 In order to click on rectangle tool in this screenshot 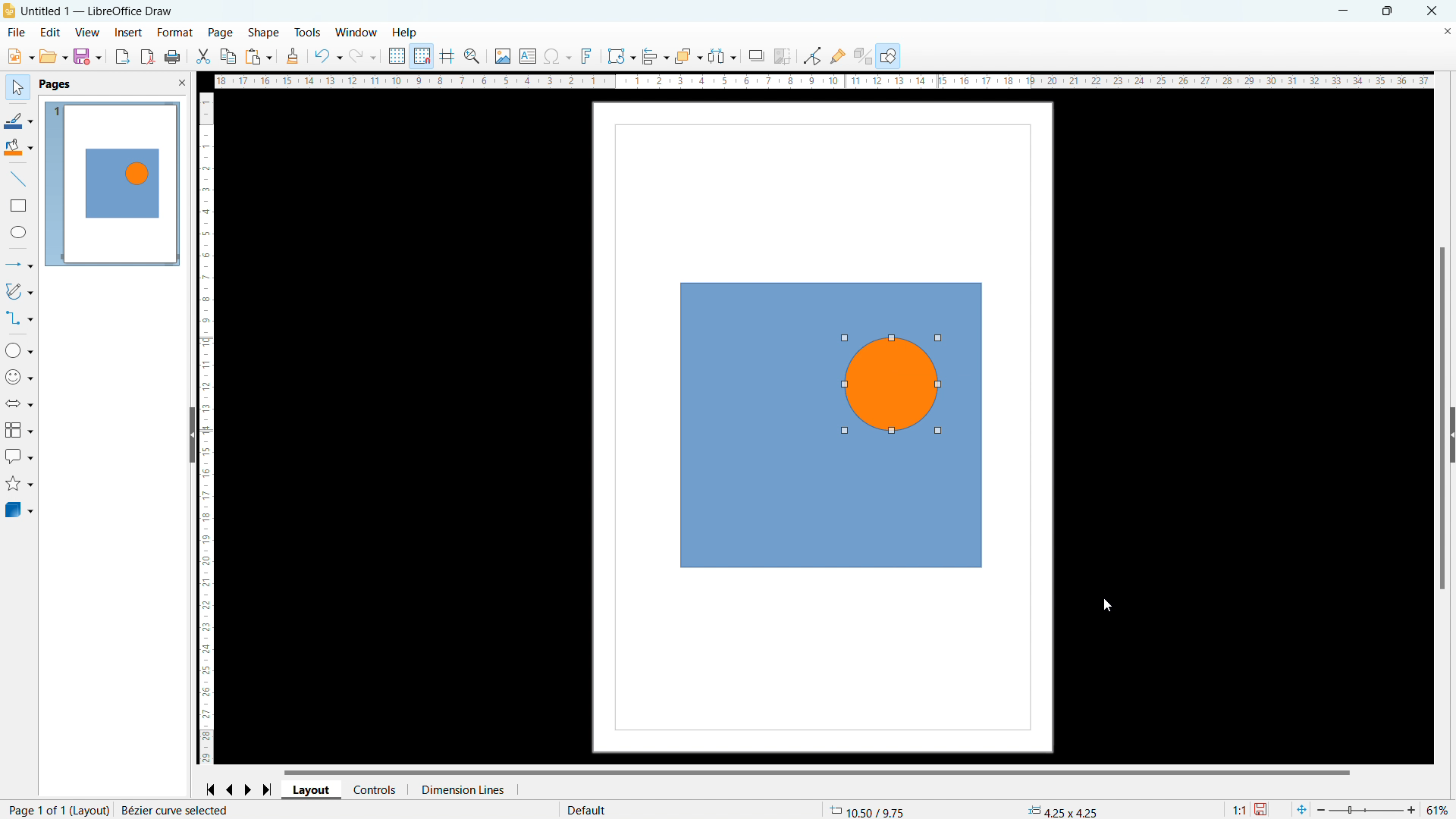, I will do `click(19, 206)`.